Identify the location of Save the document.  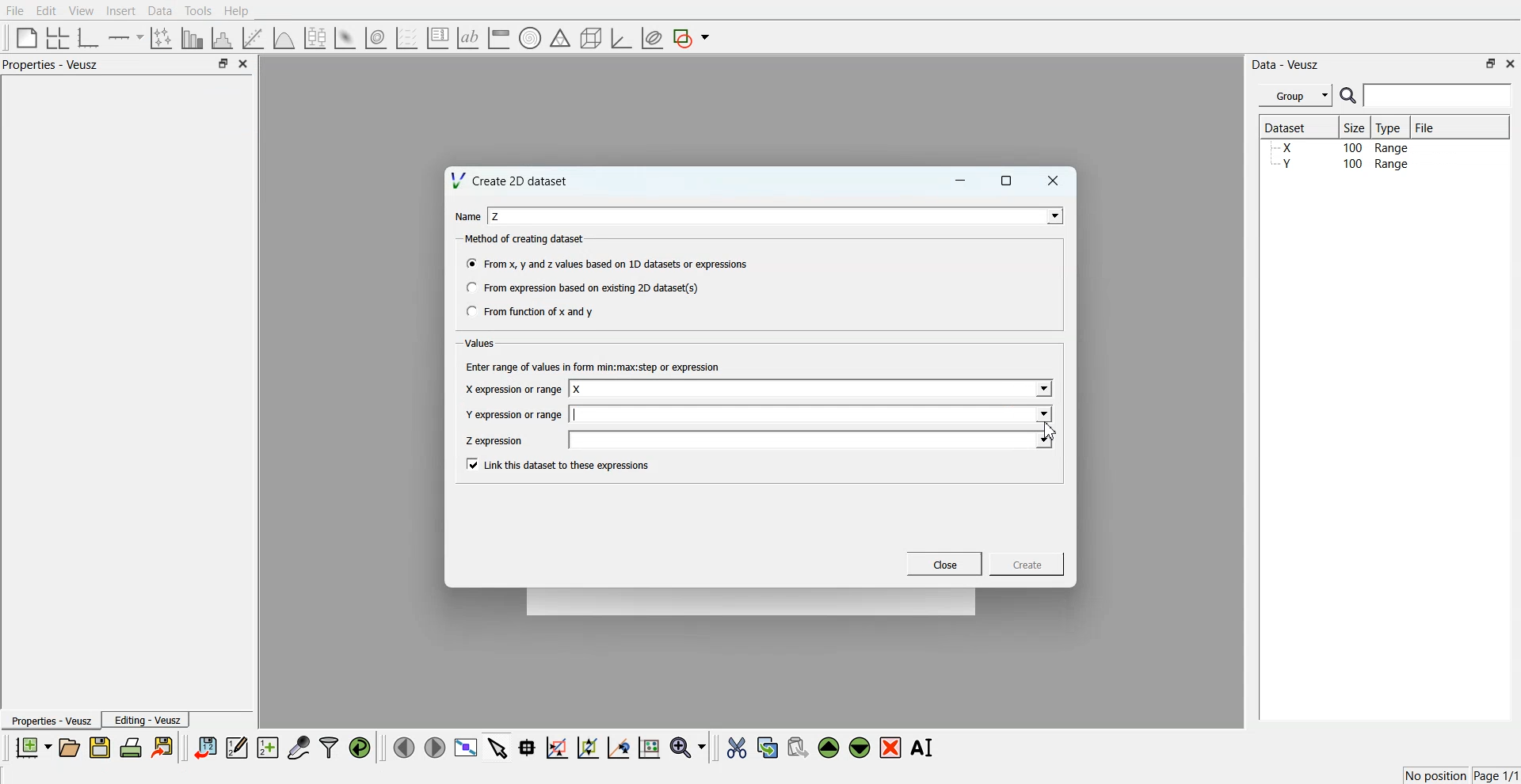
(100, 747).